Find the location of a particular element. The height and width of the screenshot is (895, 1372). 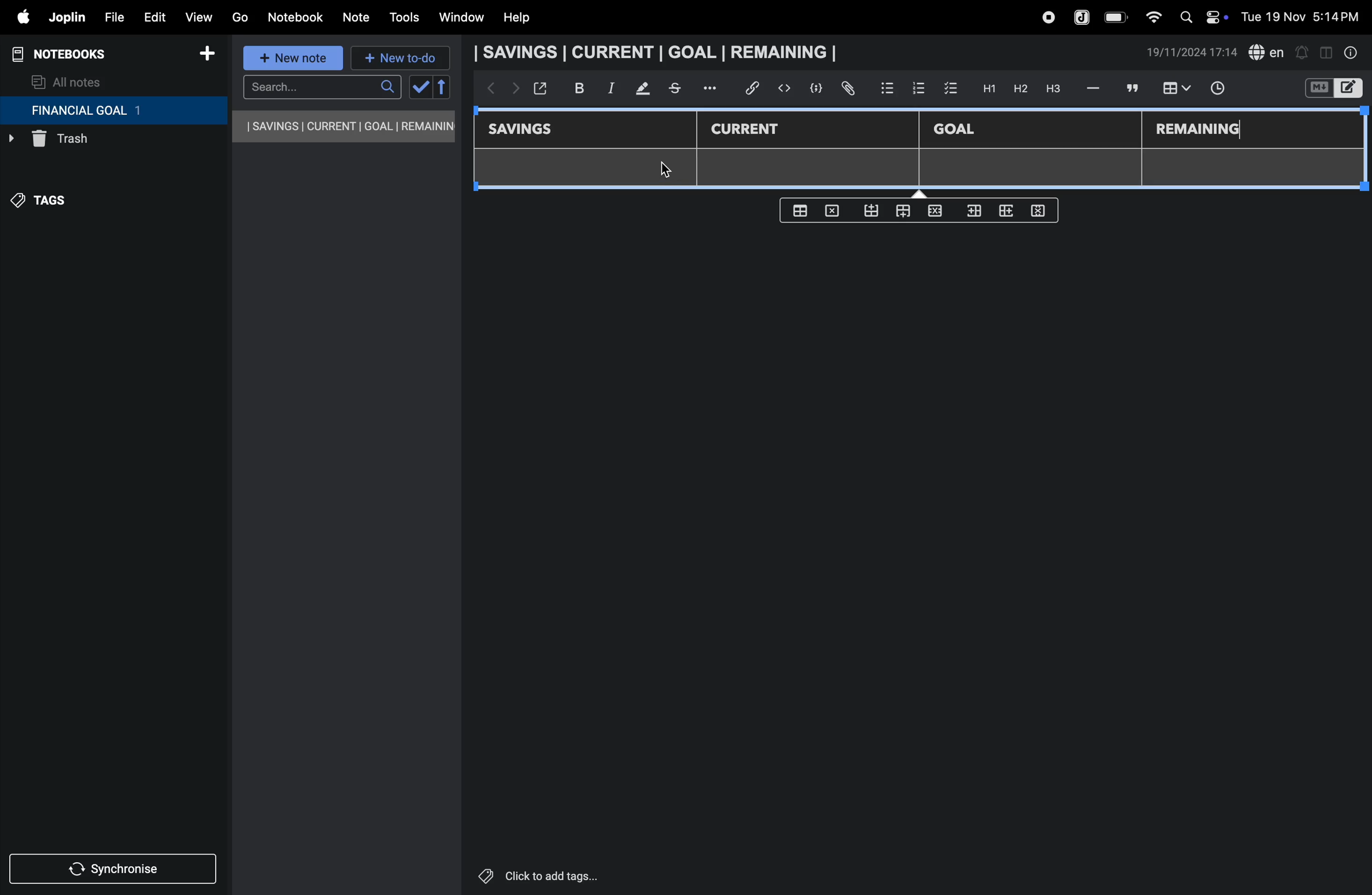

bullet list is located at coordinates (887, 87).